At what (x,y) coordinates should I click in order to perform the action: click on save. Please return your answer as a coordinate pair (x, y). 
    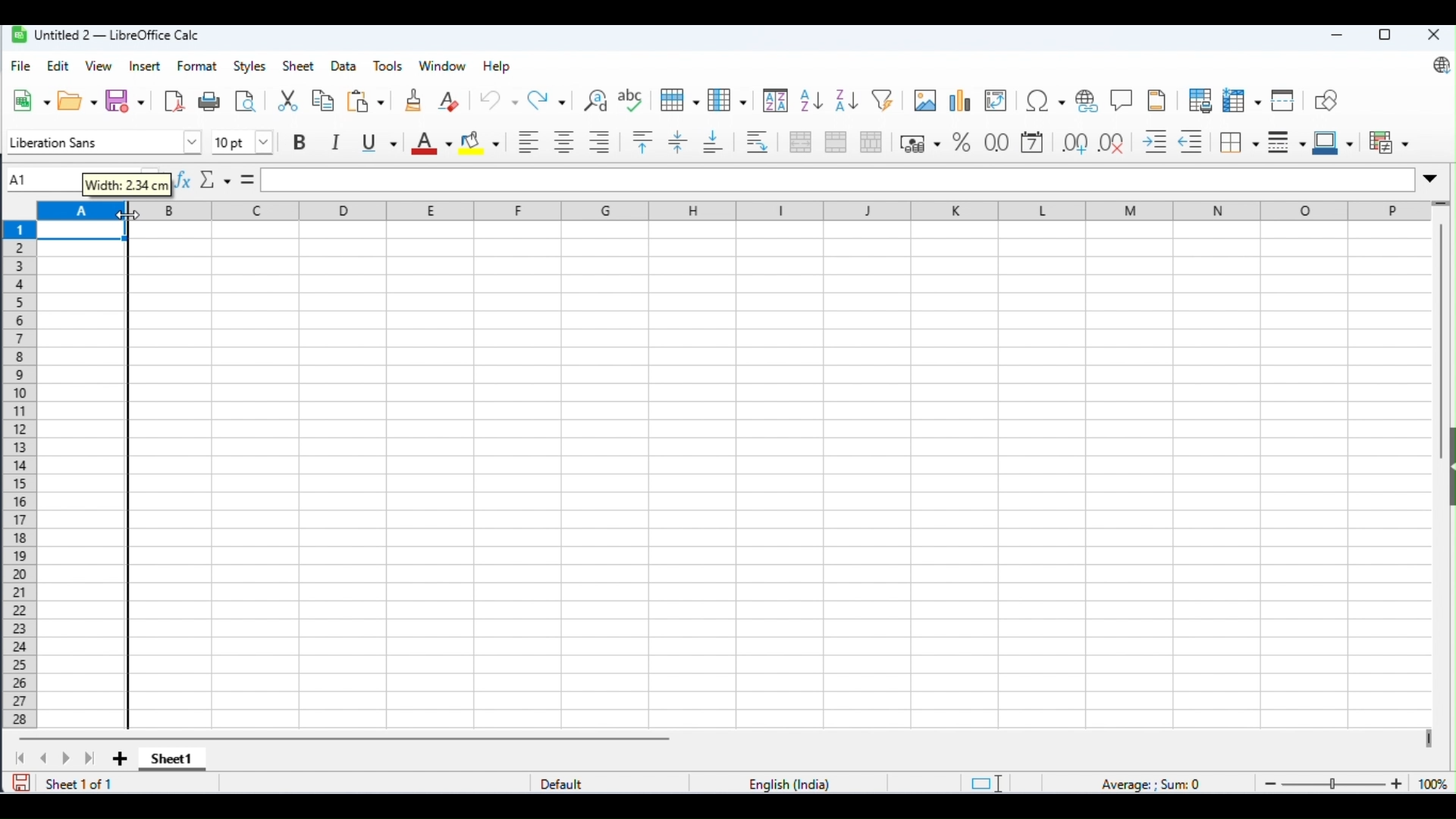
    Looking at the image, I should click on (22, 782).